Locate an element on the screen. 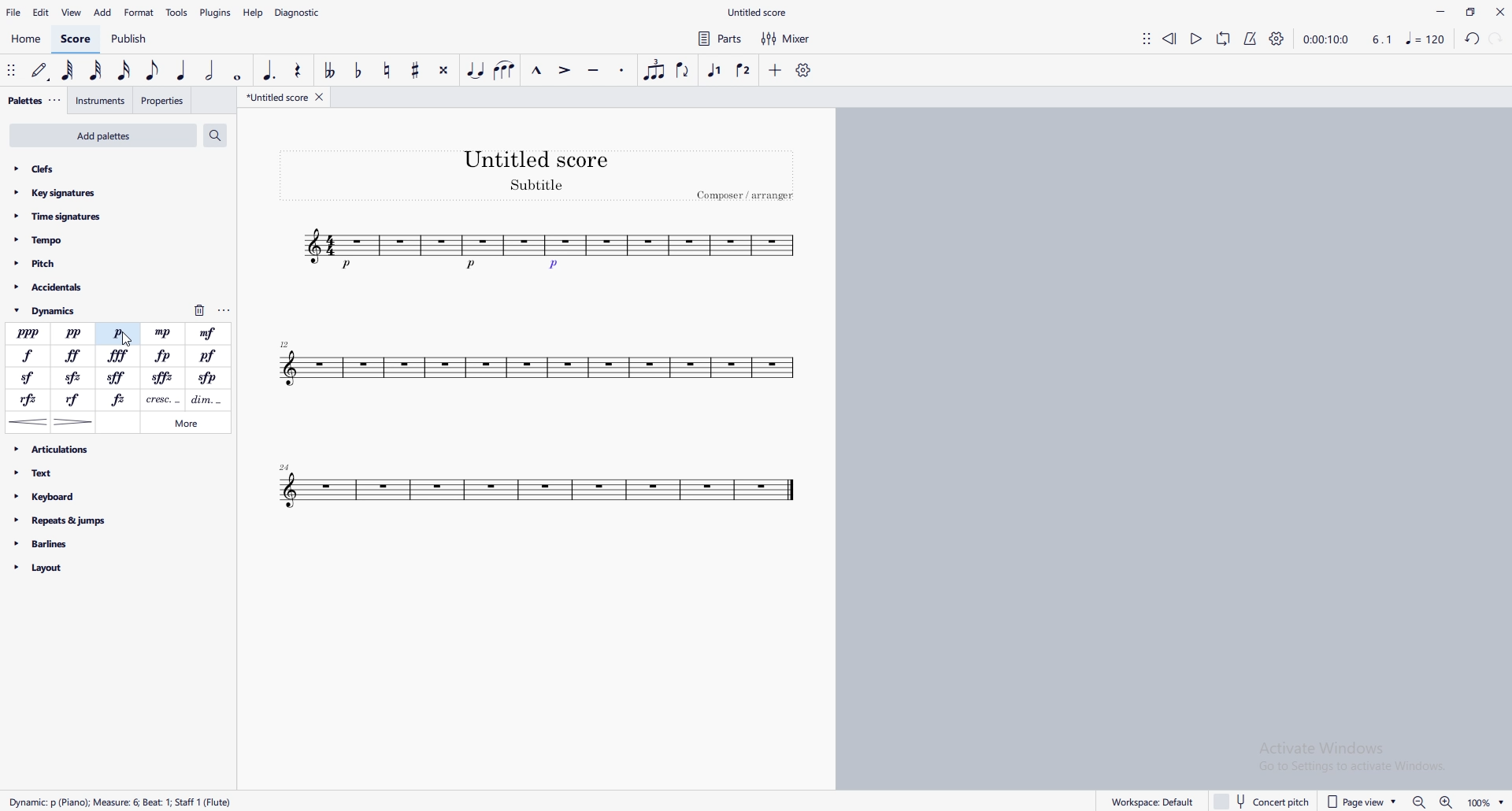 The width and height of the screenshot is (1512, 811). quarter note is located at coordinates (183, 71).